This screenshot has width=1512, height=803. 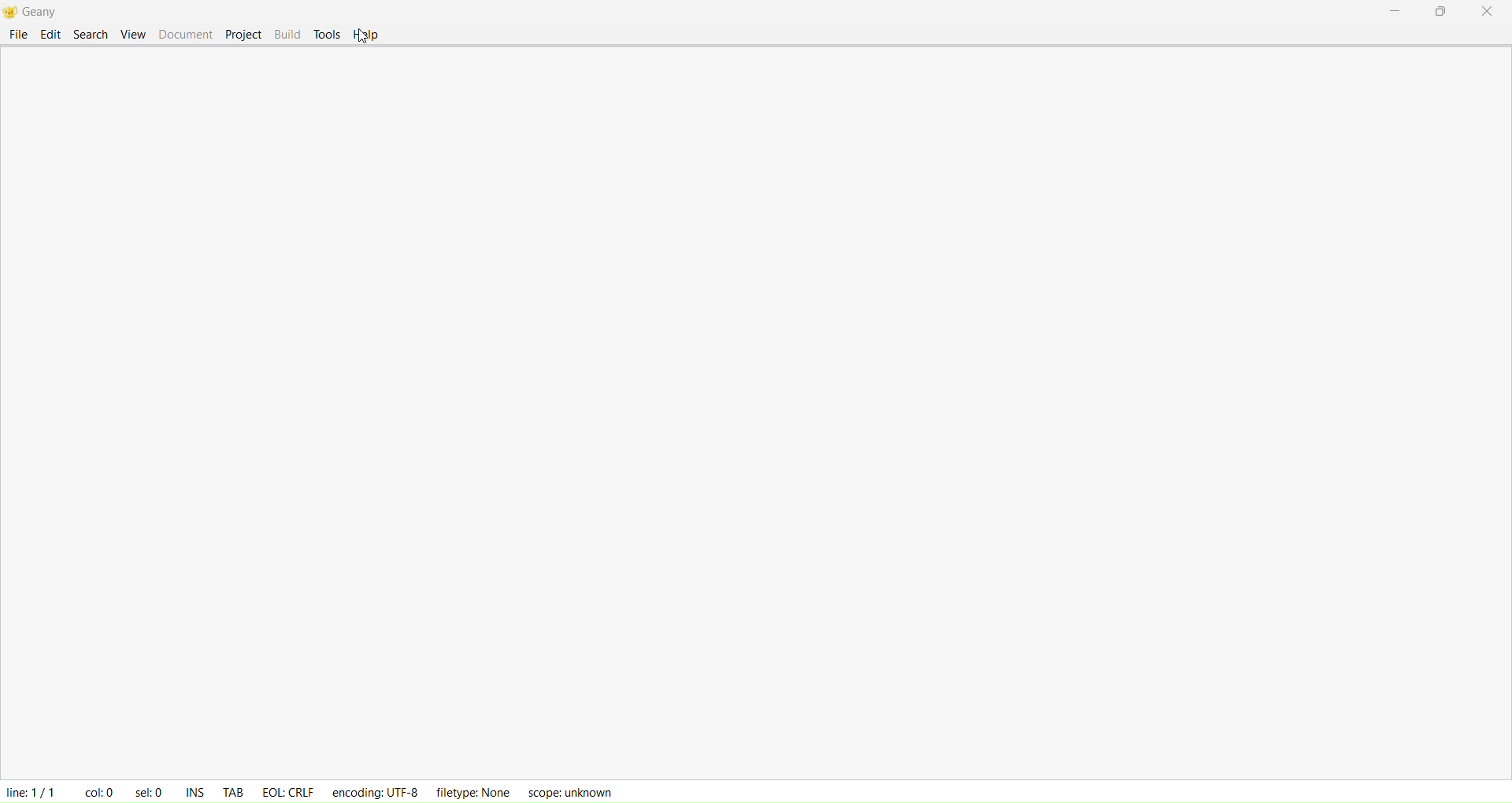 I want to click on project, so click(x=242, y=34).